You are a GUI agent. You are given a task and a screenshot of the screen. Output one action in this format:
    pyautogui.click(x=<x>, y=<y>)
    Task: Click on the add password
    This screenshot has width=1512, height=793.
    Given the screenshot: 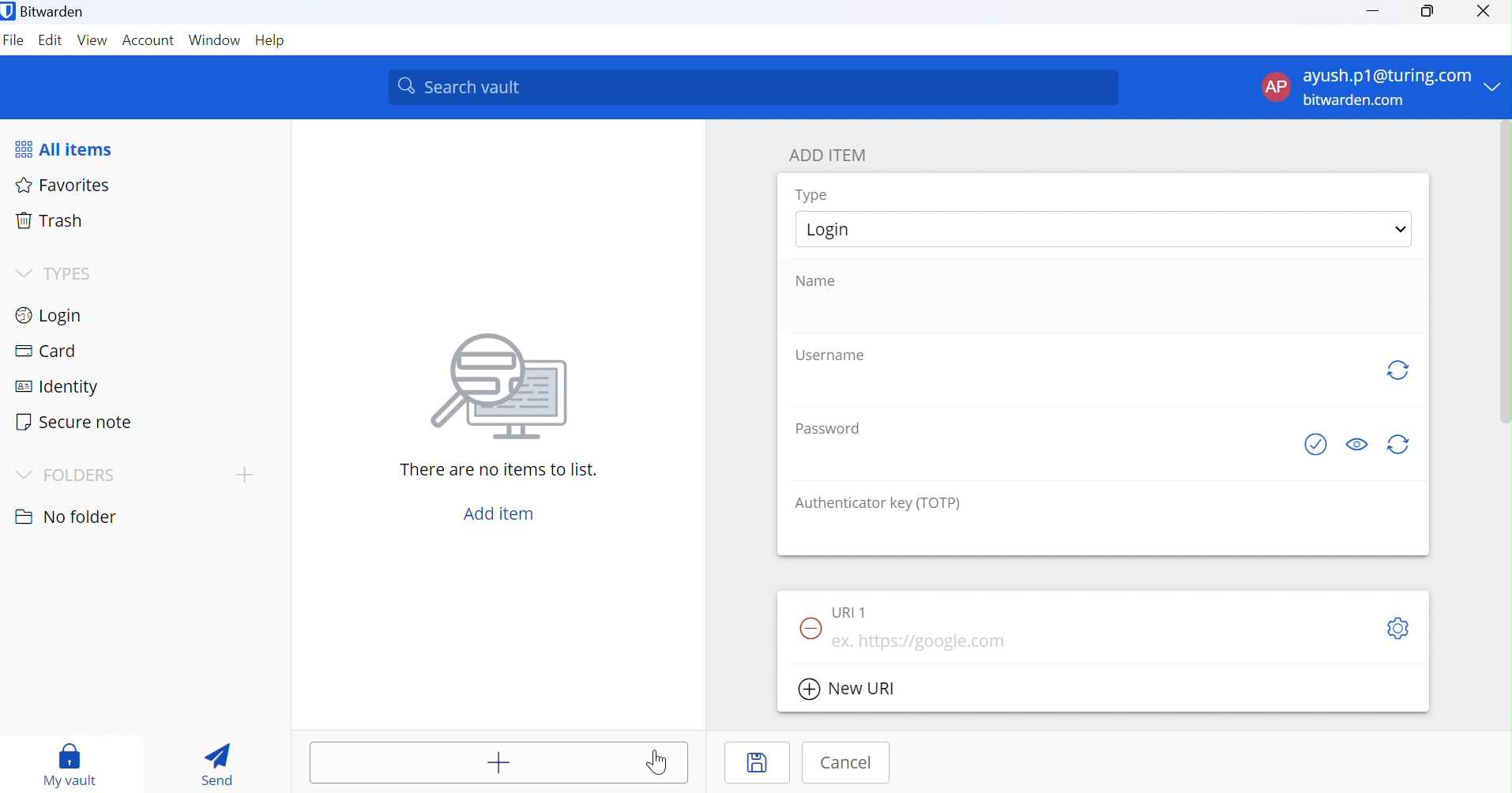 What is the action you would take?
    pyautogui.click(x=1038, y=458)
    